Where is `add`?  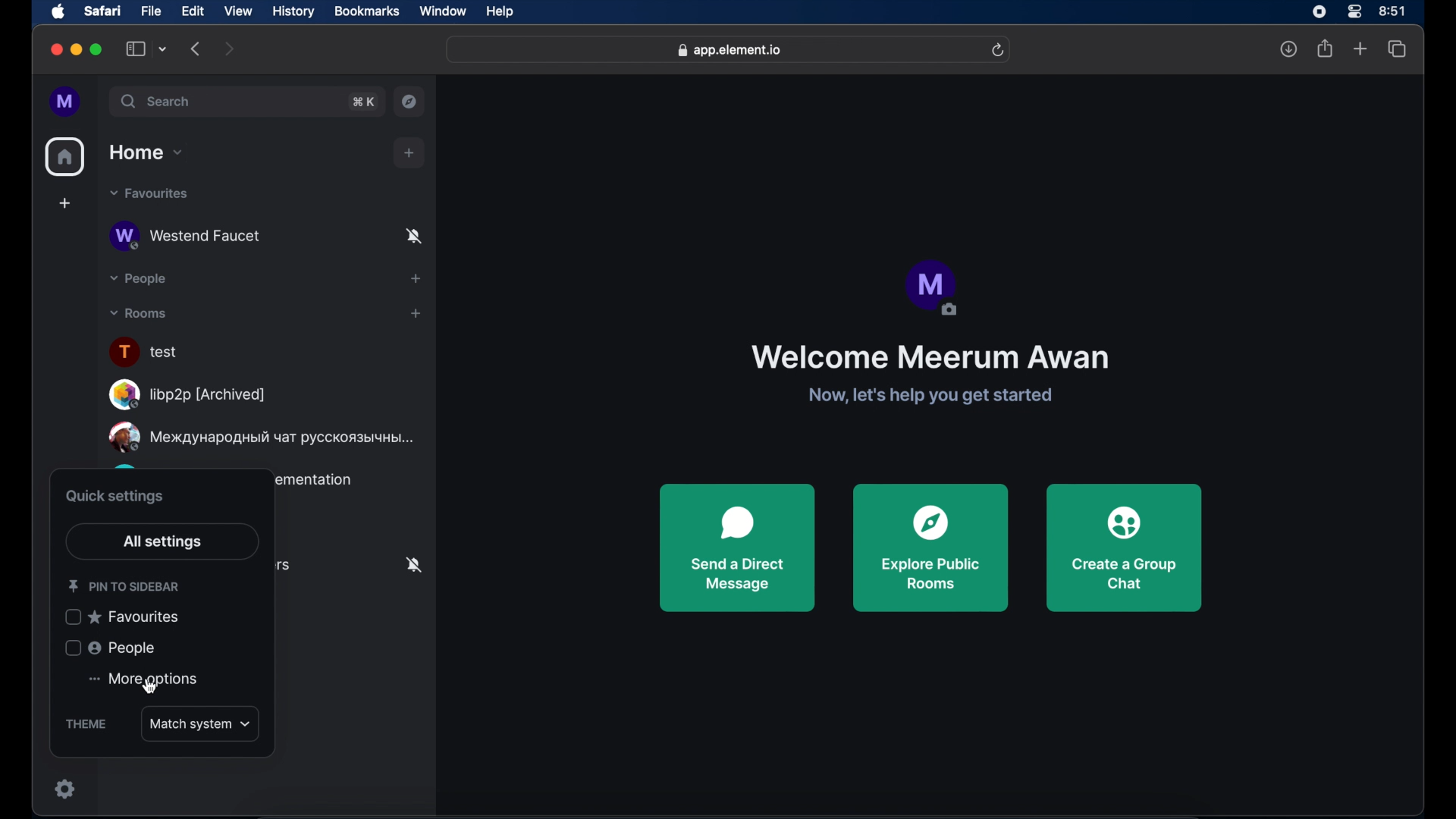 add is located at coordinates (409, 153).